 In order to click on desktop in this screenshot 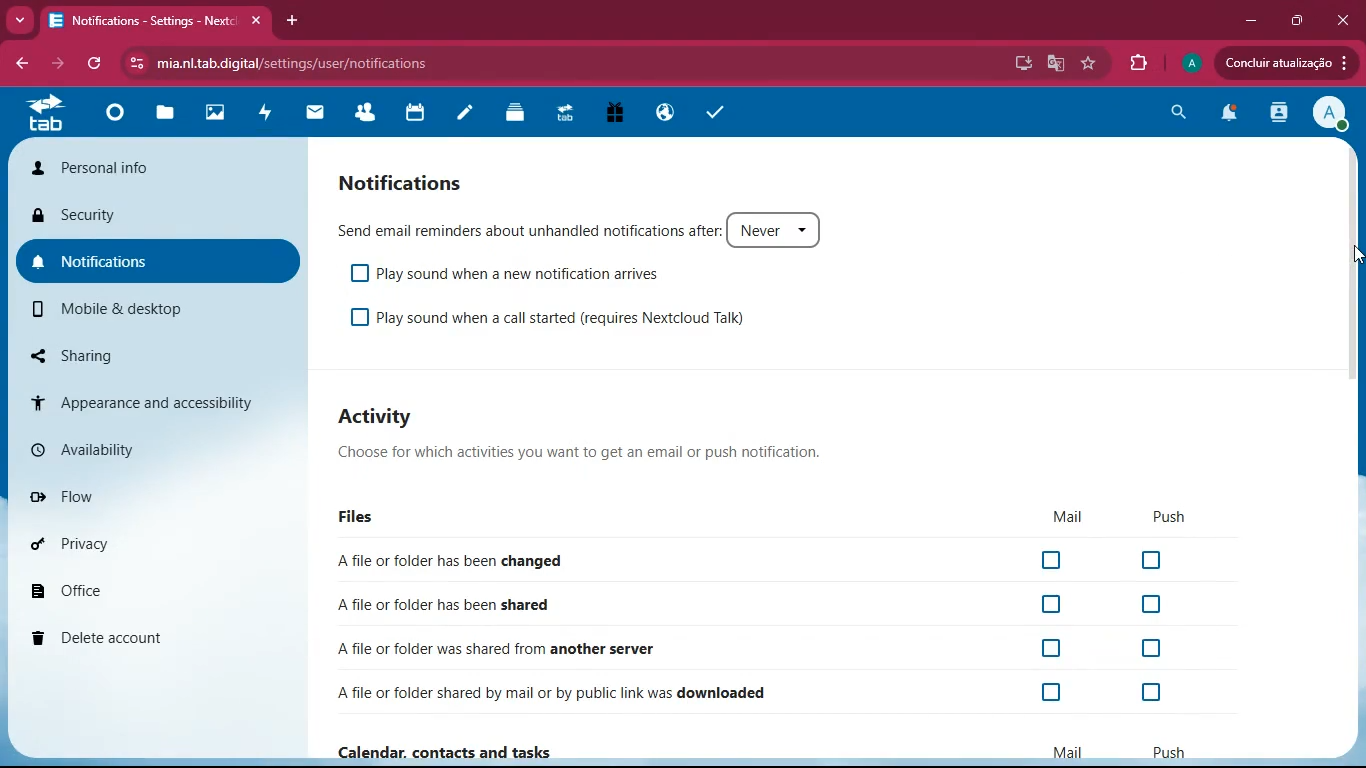, I will do `click(1020, 65)`.